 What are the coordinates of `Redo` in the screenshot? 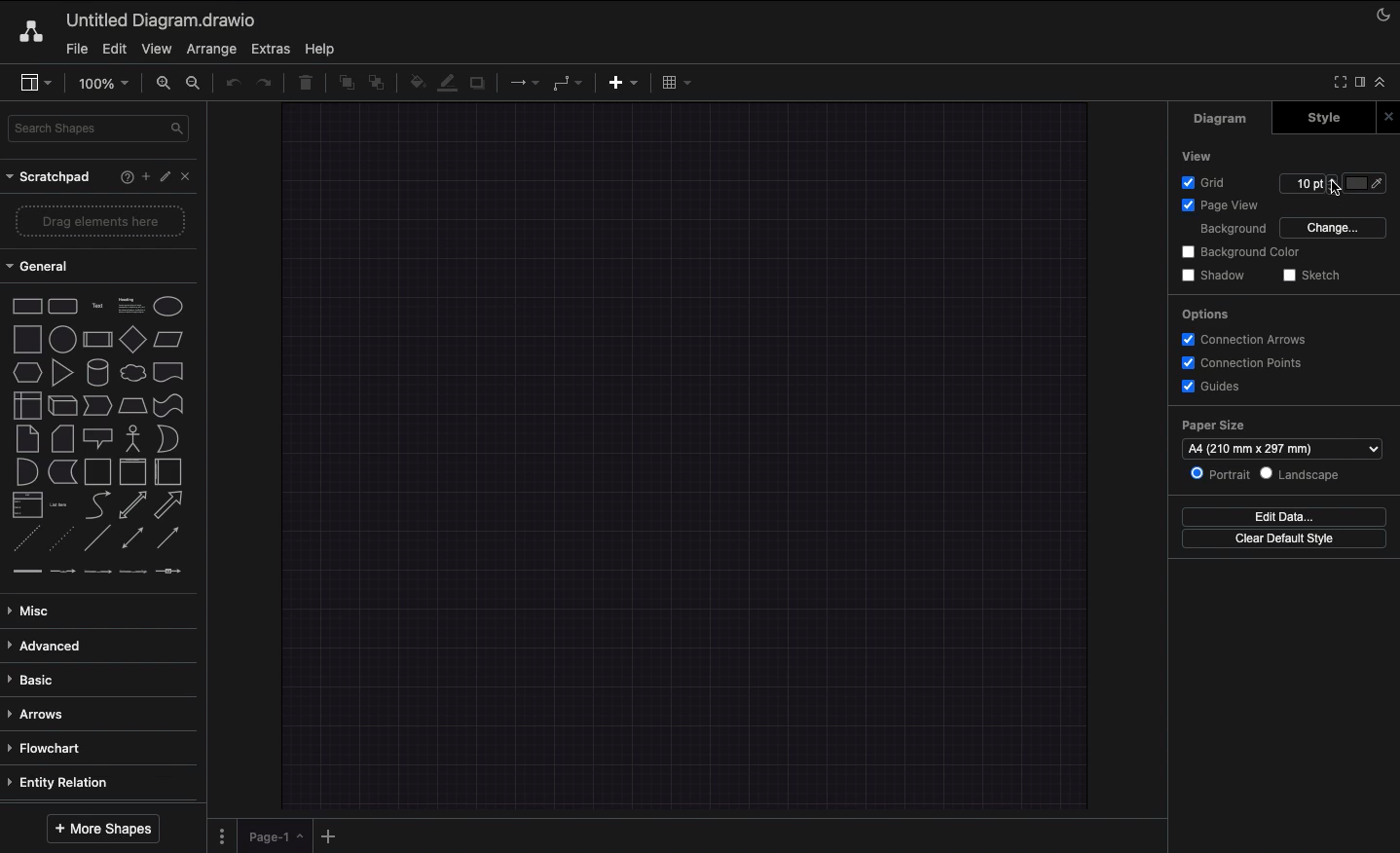 It's located at (267, 84).